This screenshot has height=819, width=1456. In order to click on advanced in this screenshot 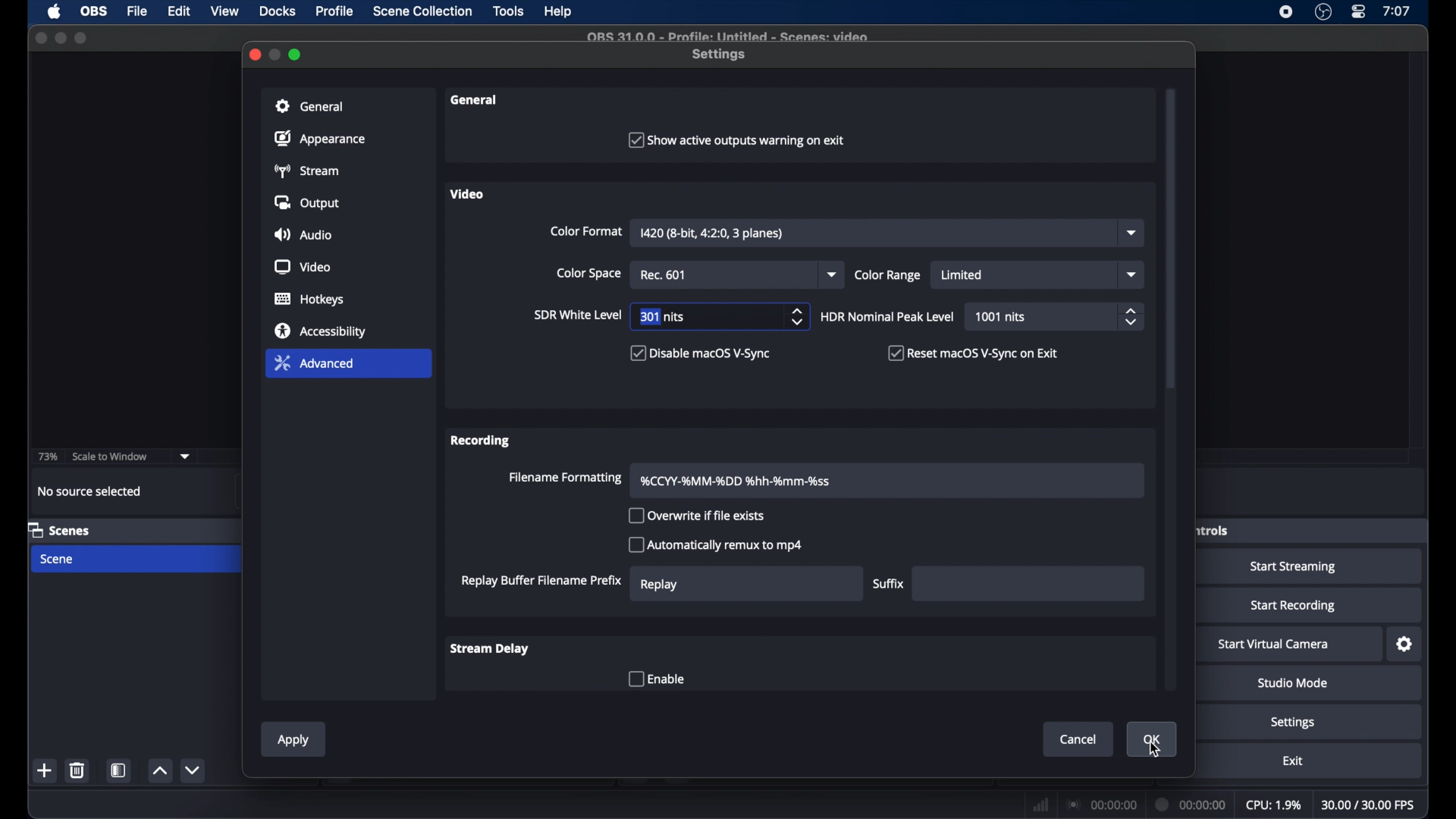, I will do `click(315, 362)`.